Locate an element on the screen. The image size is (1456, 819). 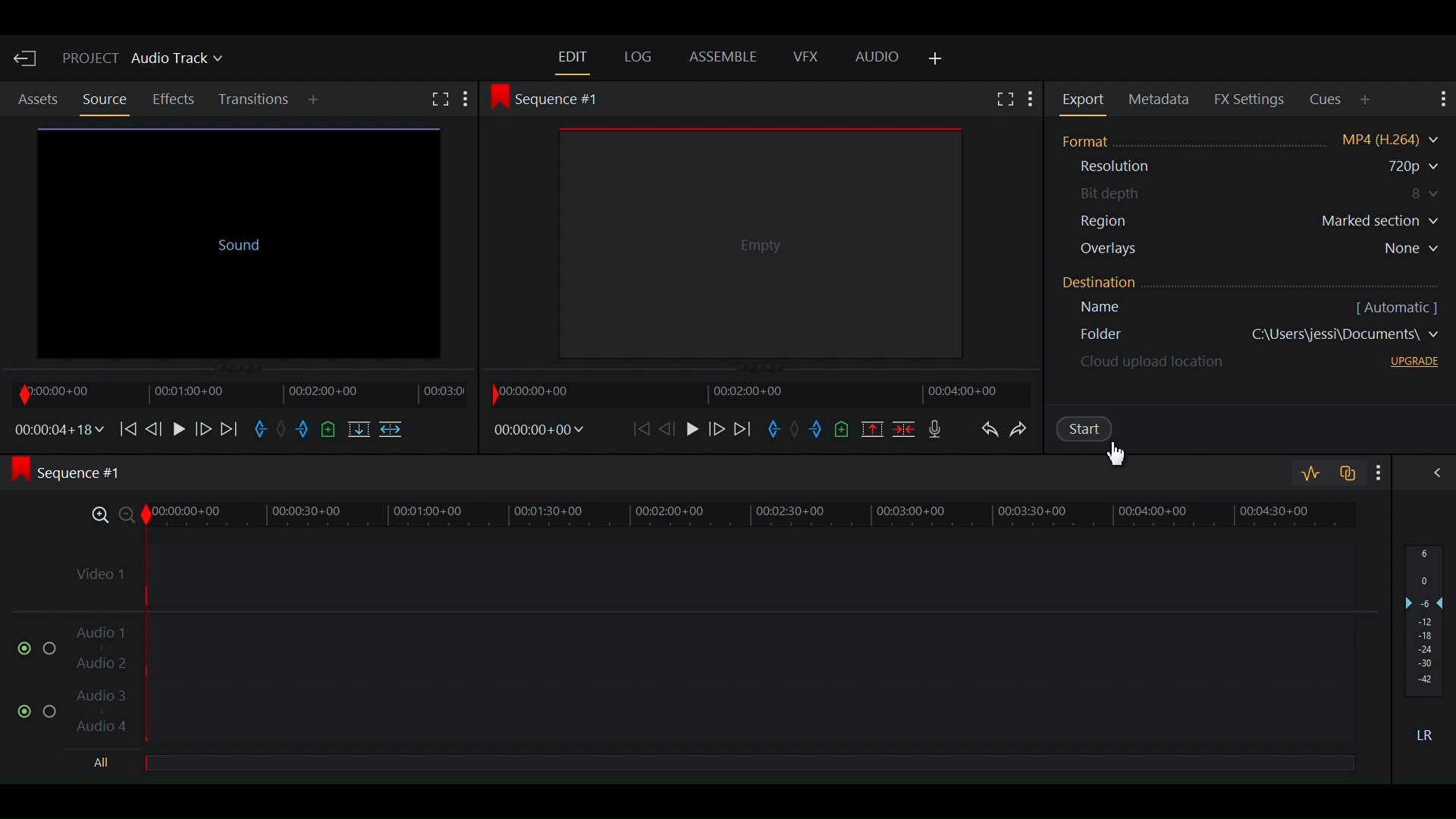
Record voice over is located at coordinates (935, 428).